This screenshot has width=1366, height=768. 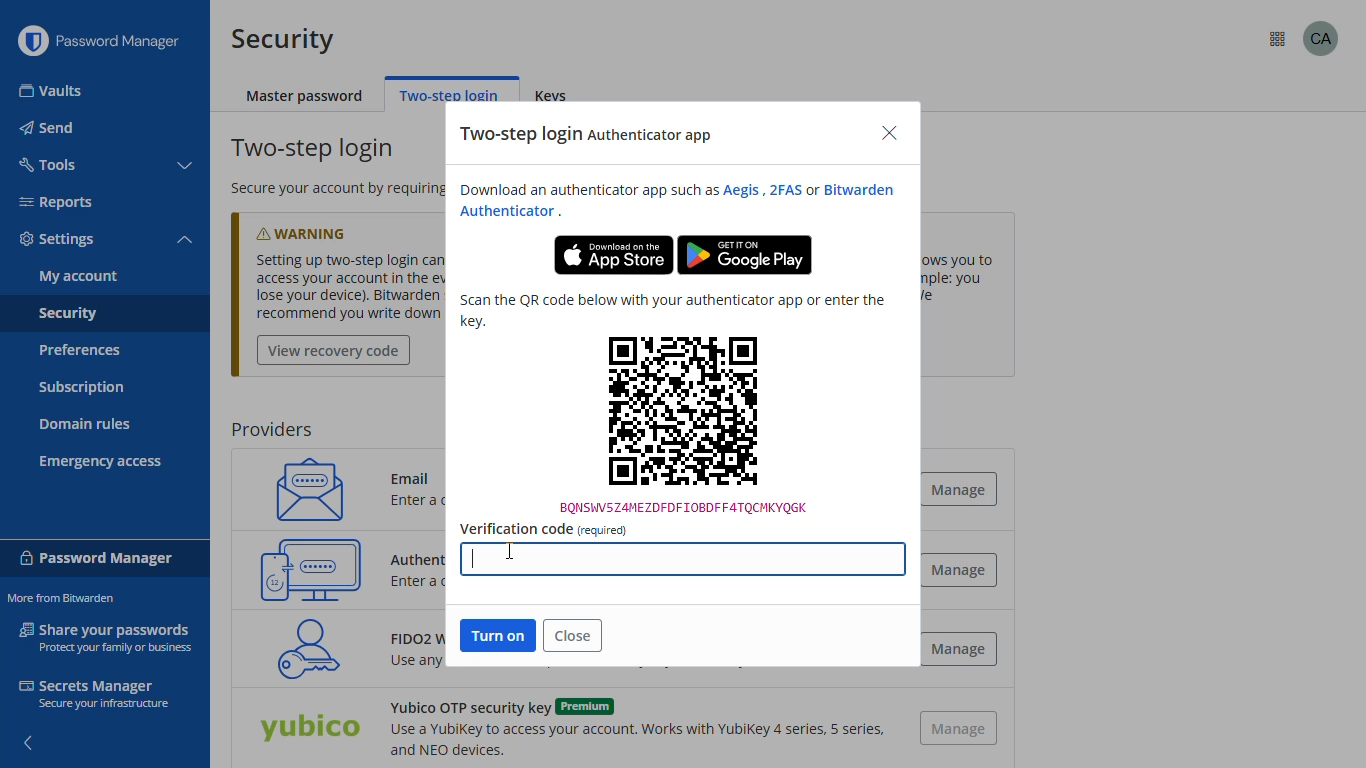 What do you see at coordinates (185, 241) in the screenshot?
I see `toggle collapse` at bounding box center [185, 241].